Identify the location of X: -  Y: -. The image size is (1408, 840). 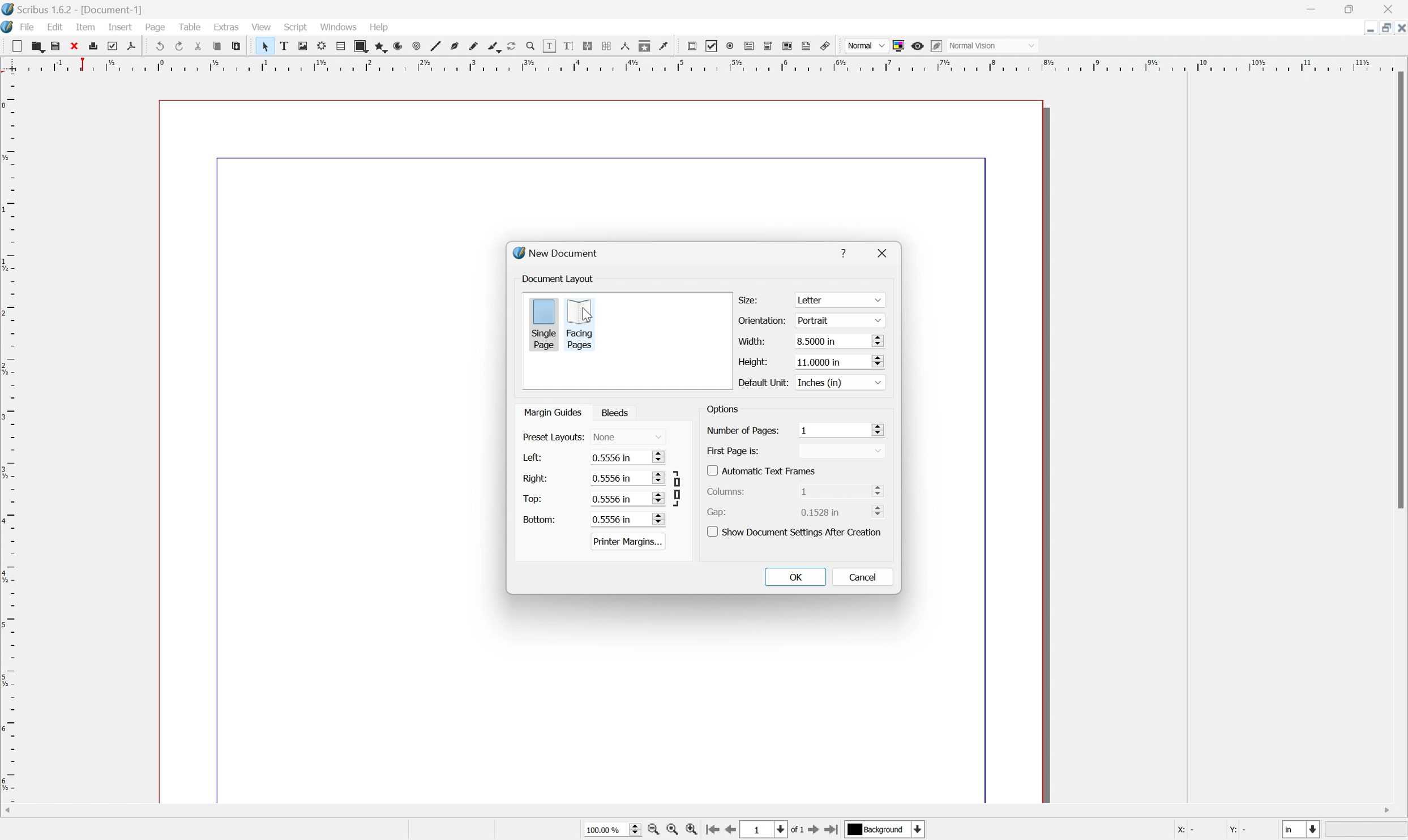
(1212, 830).